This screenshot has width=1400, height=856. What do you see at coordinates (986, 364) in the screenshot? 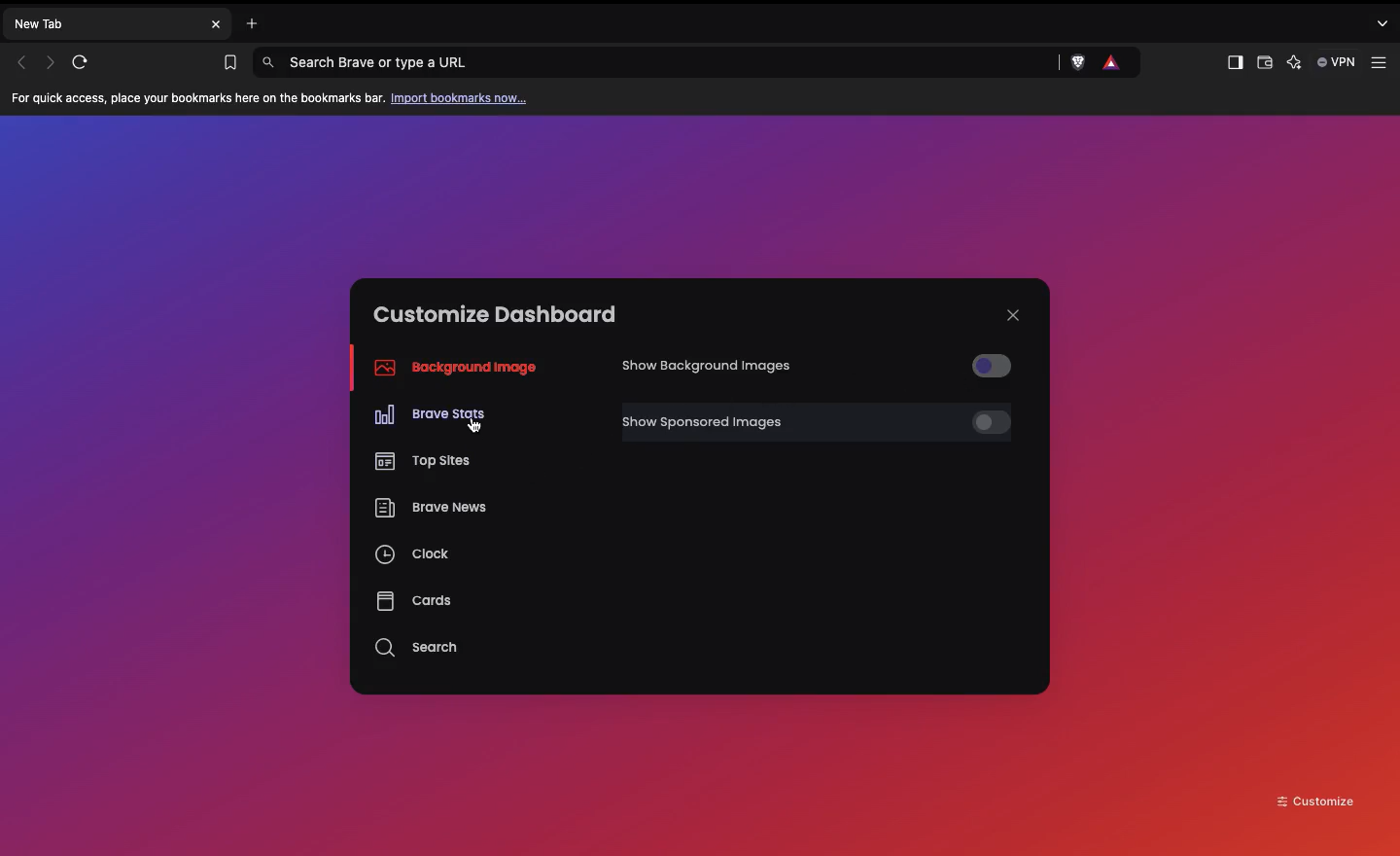
I see `Off` at bounding box center [986, 364].